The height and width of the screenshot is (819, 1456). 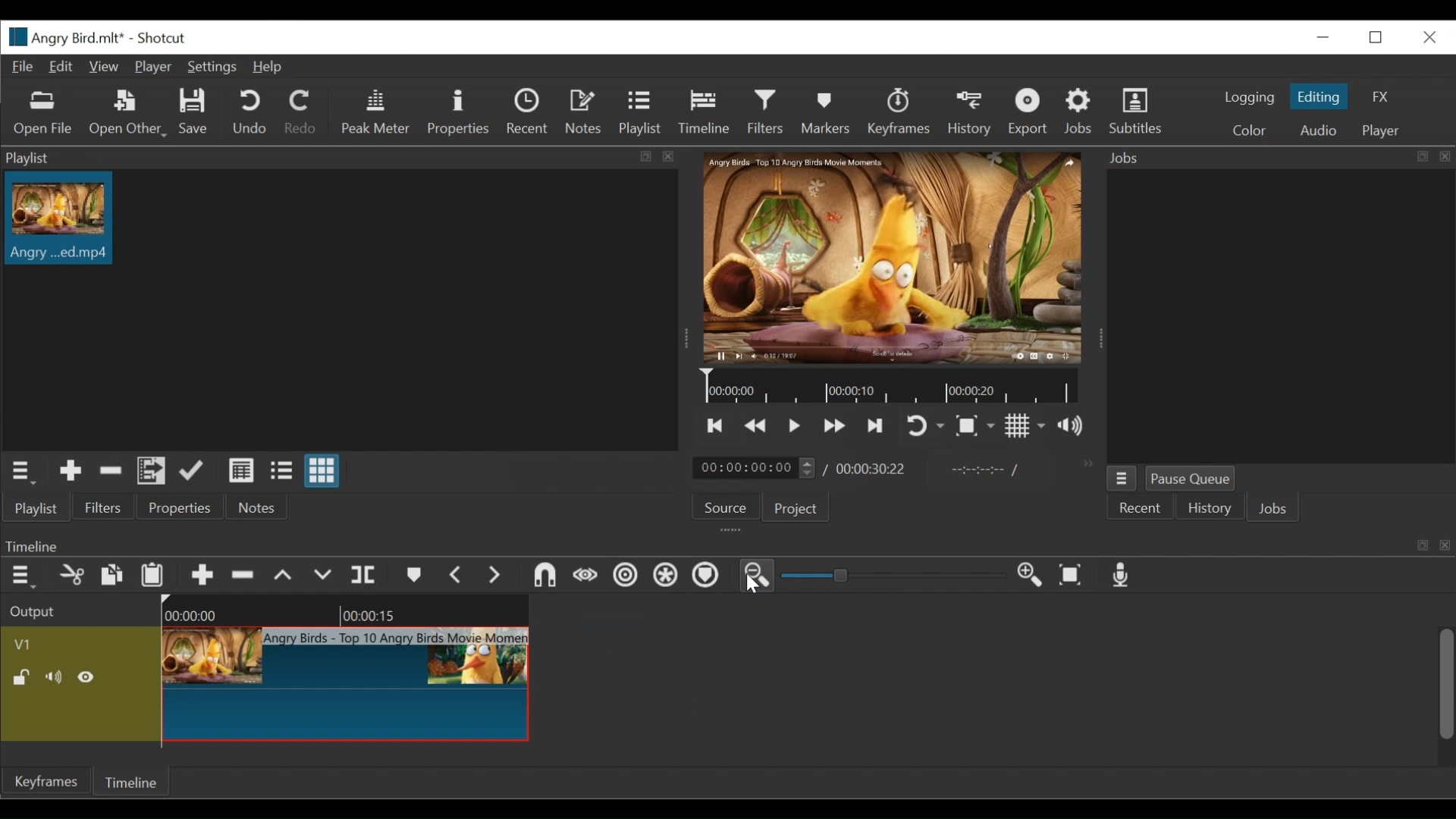 What do you see at coordinates (708, 576) in the screenshot?
I see `Scrub while dragging` at bounding box center [708, 576].